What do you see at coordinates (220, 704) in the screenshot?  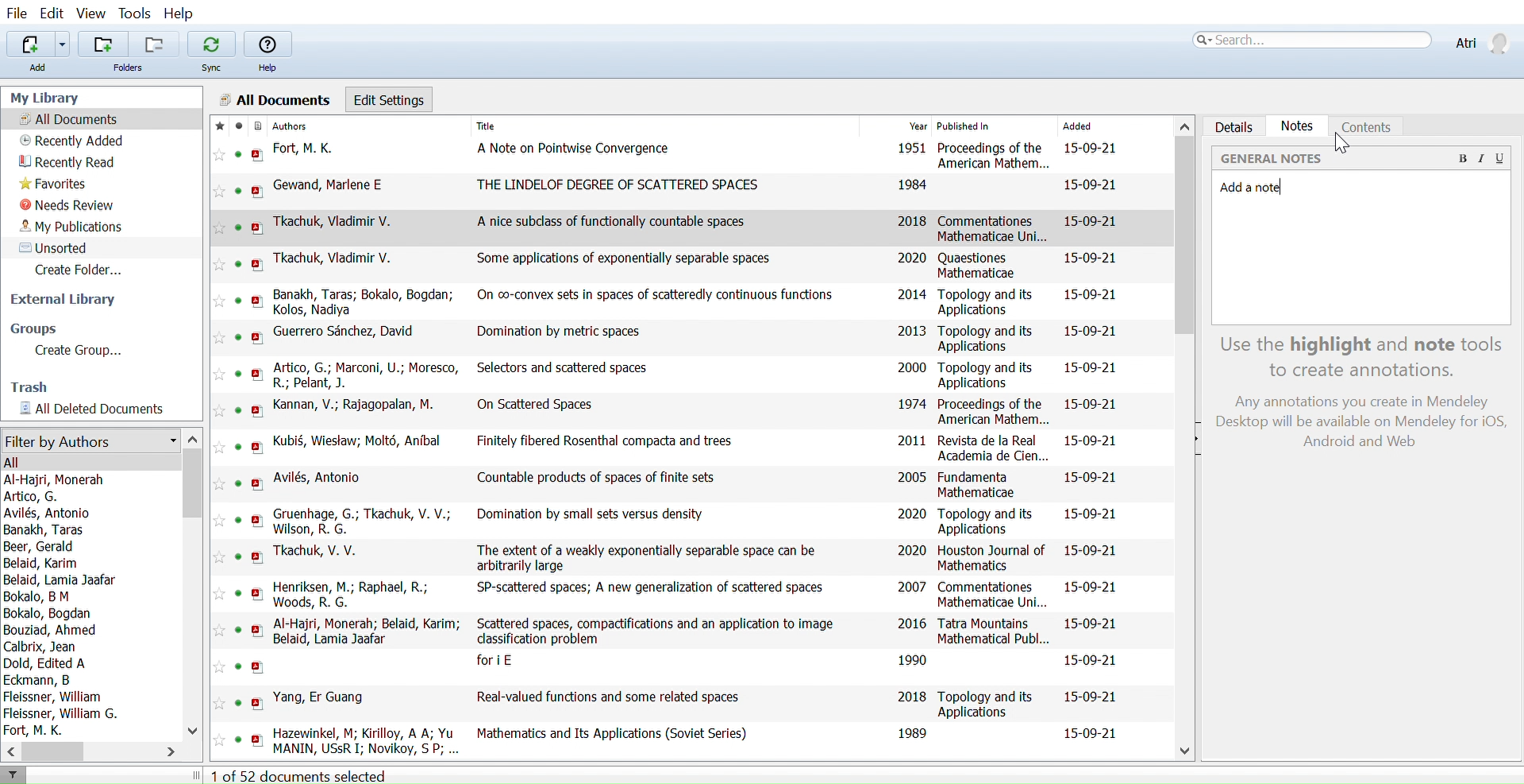 I see `Add this reference to favorites` at bounding box center [220, 704].